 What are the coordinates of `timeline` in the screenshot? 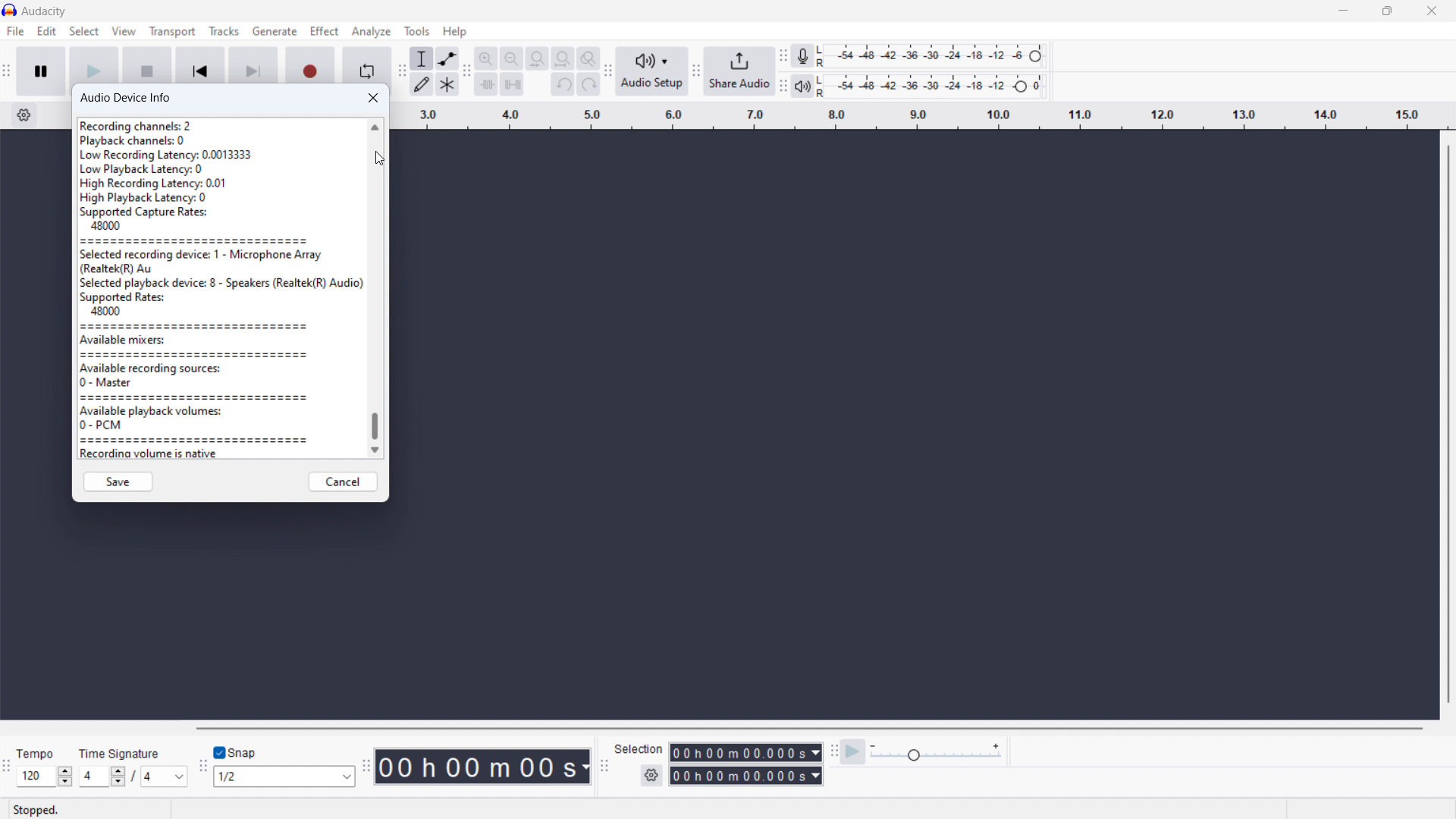 It's located at (924, 117).